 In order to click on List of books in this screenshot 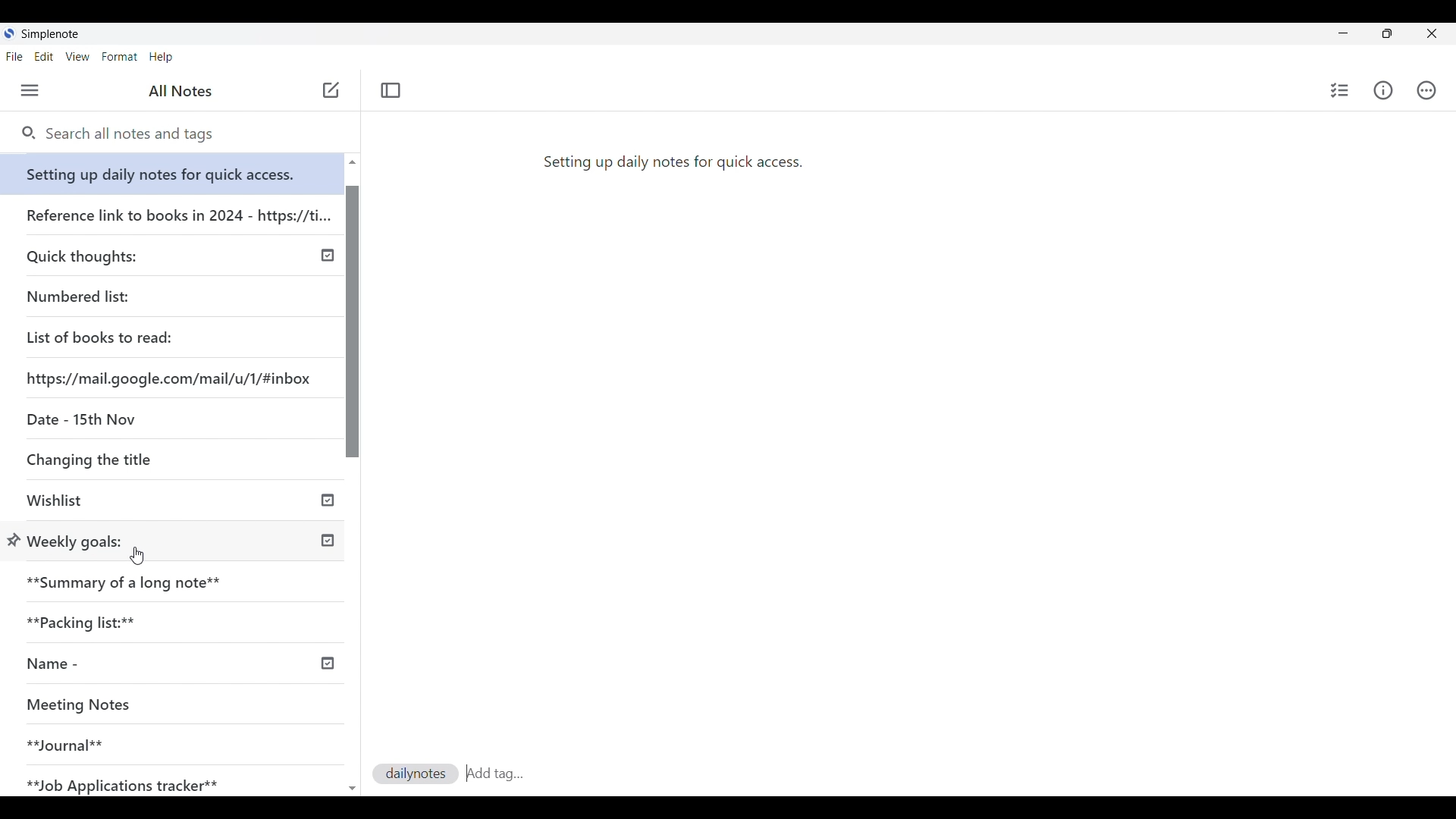, I will do `click(101, 335)`.